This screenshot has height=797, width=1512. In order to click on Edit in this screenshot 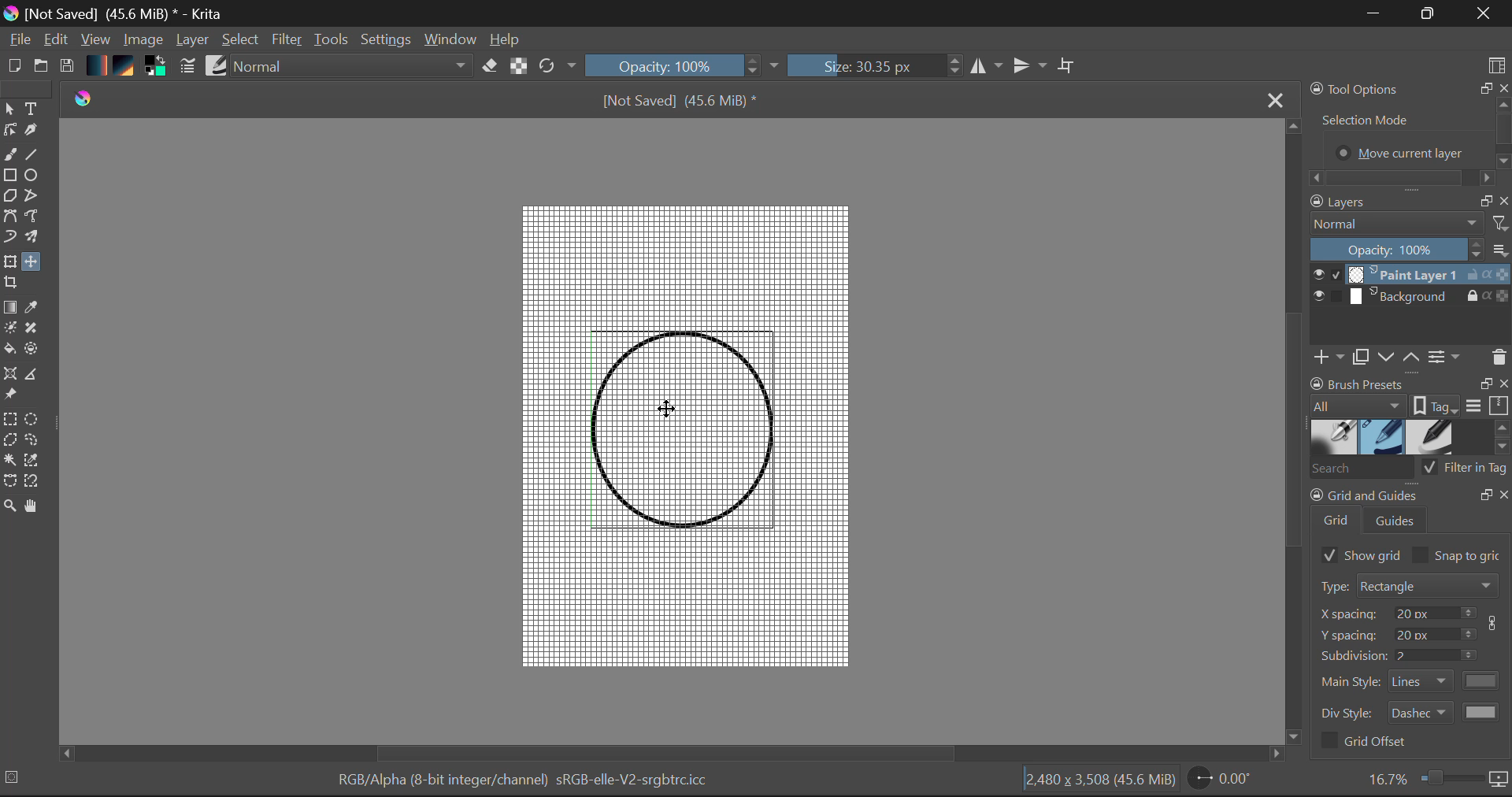, I will do `click(57, 40)`.